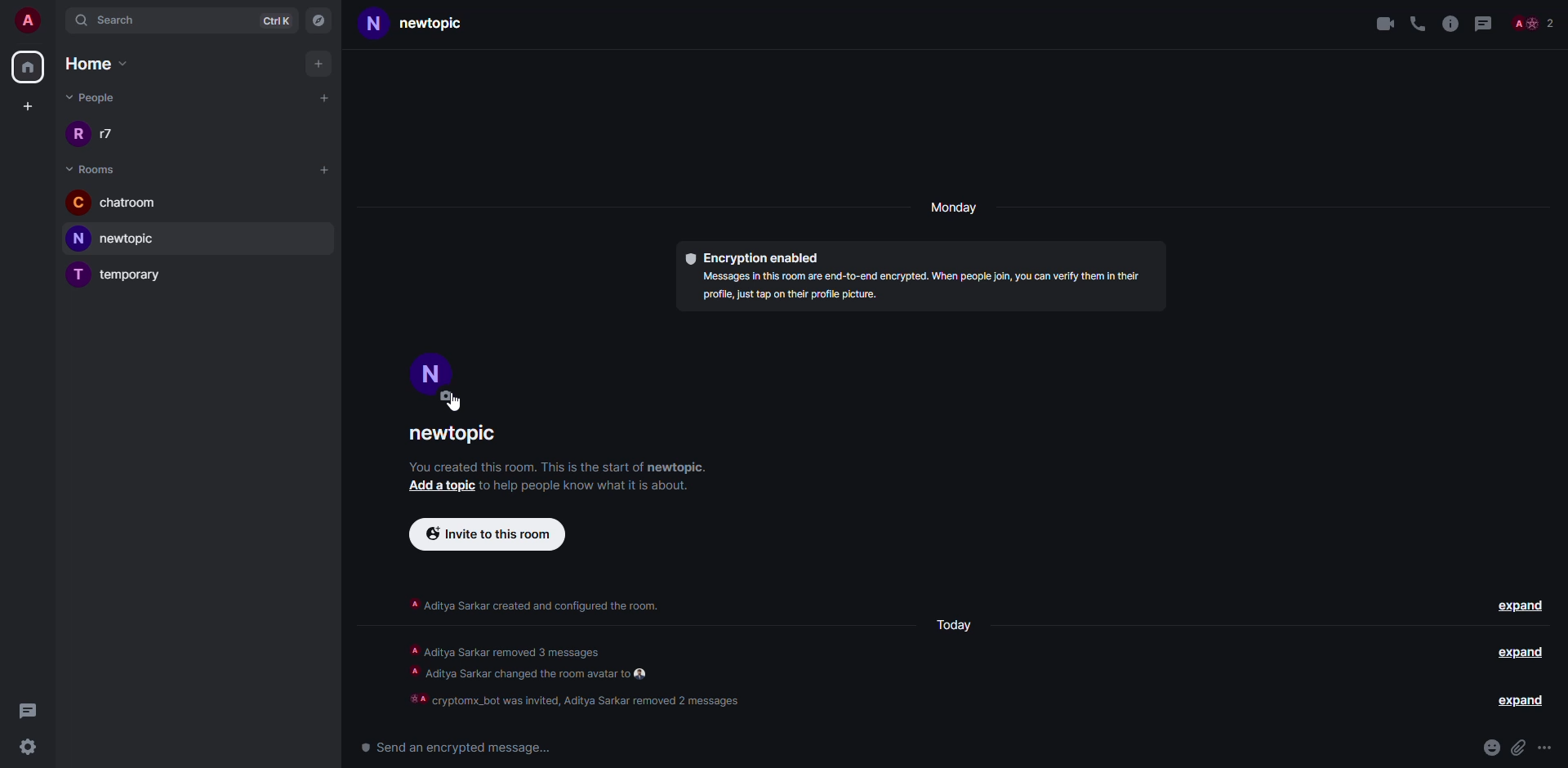 This screenshot has width=1568, height=768. I want to click on account, so click(26, 18).